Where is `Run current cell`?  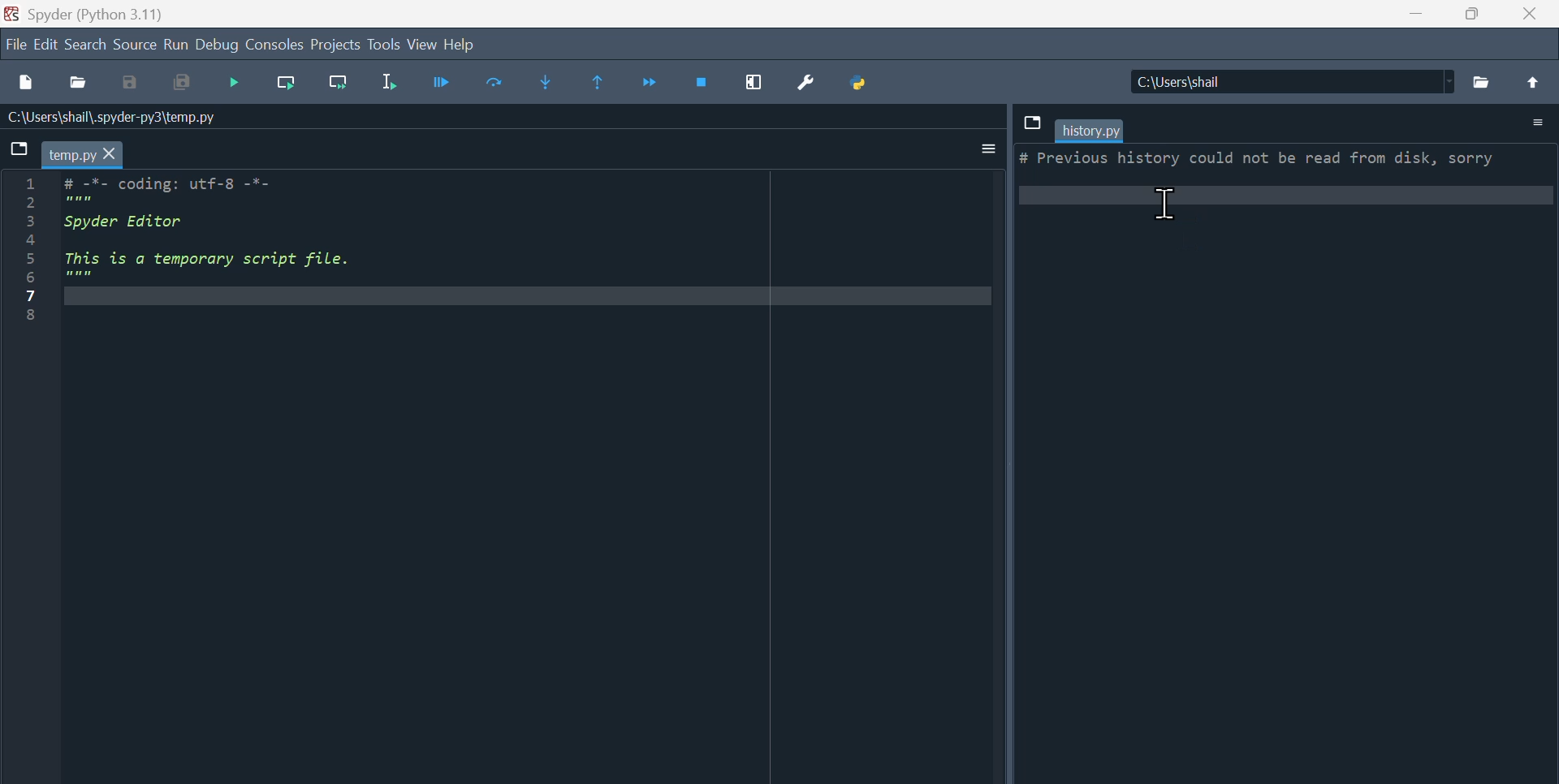 Run current cell is located at coordinates (285, 81).